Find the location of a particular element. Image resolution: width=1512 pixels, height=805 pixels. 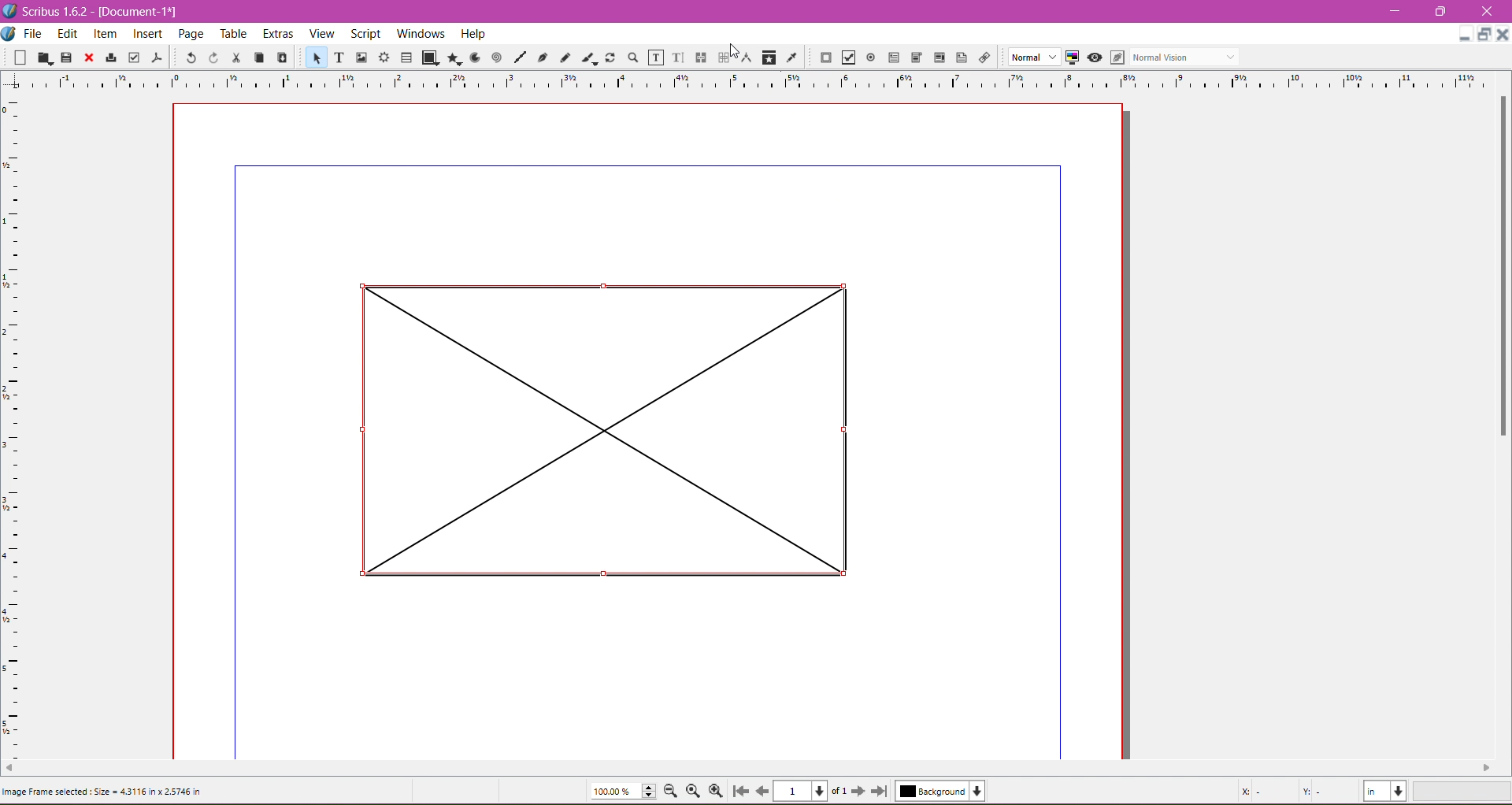

Calligraphic Line is located at coordinates (587, 57).